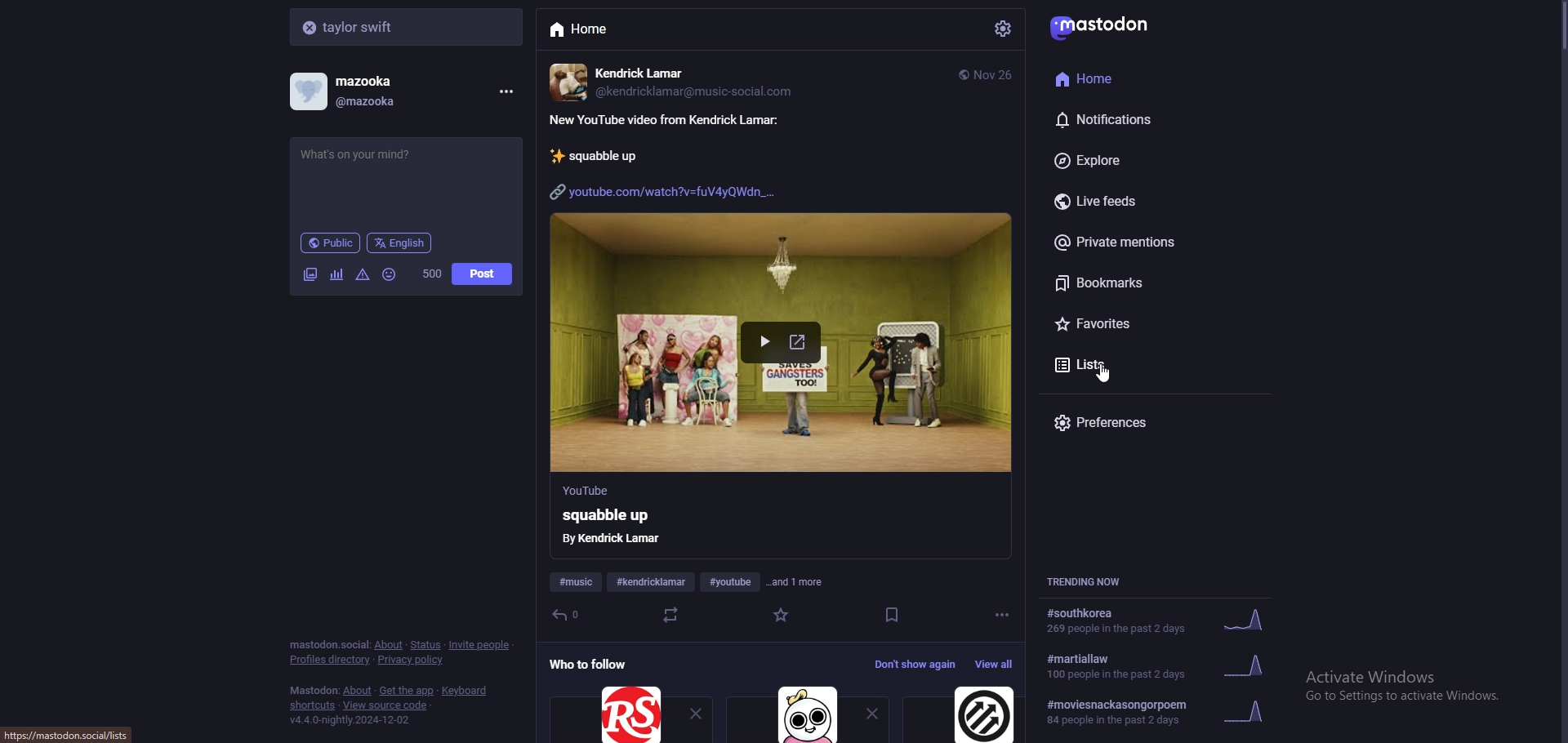 The width and height of the screenshot is (1568, 743). I want to click on live feeds, so click(1160, 202).